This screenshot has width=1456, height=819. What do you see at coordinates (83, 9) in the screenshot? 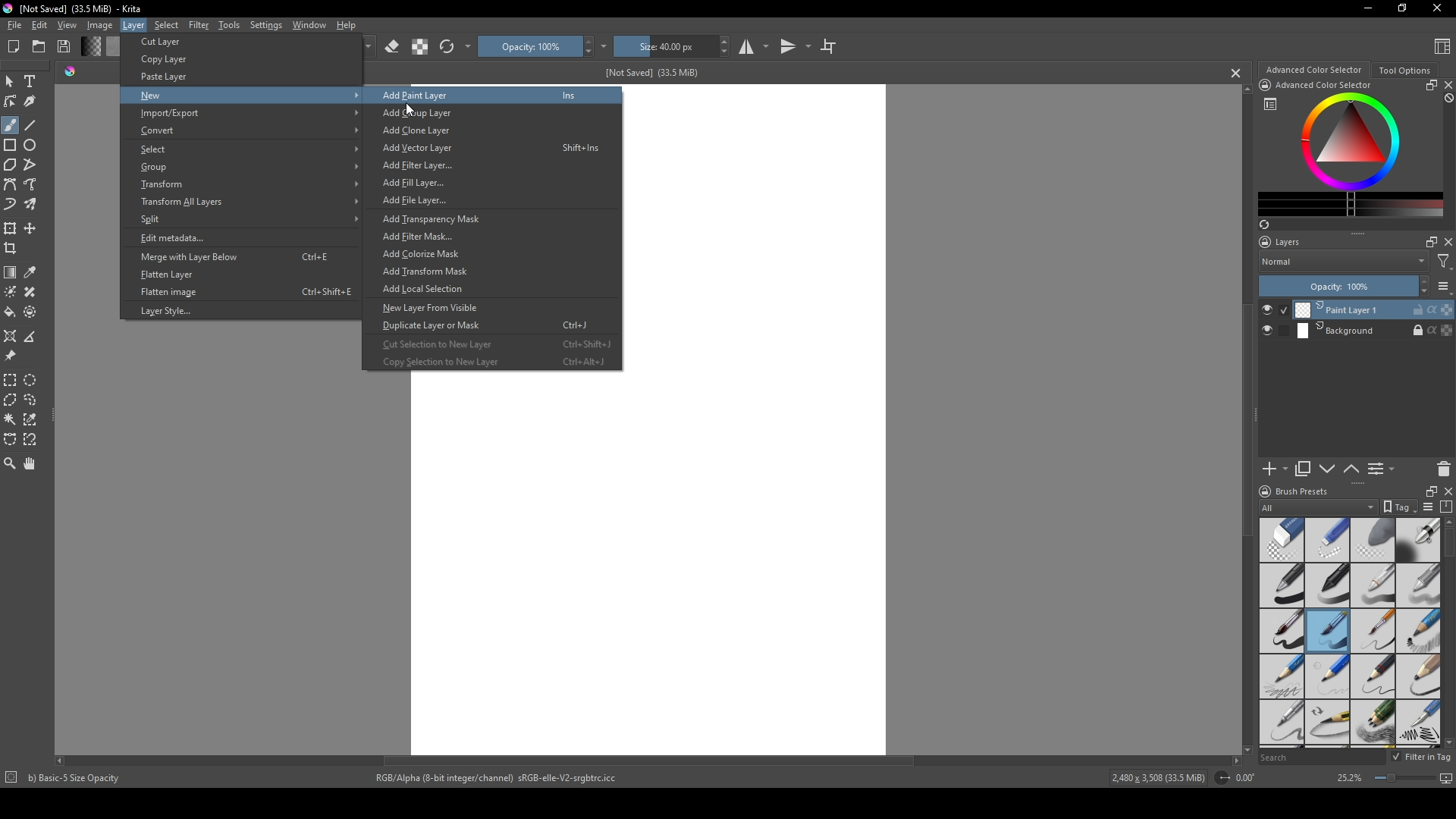
I see `[Not Saved] (33.5 MiB) - Krita` at bounding box center [83, 9].